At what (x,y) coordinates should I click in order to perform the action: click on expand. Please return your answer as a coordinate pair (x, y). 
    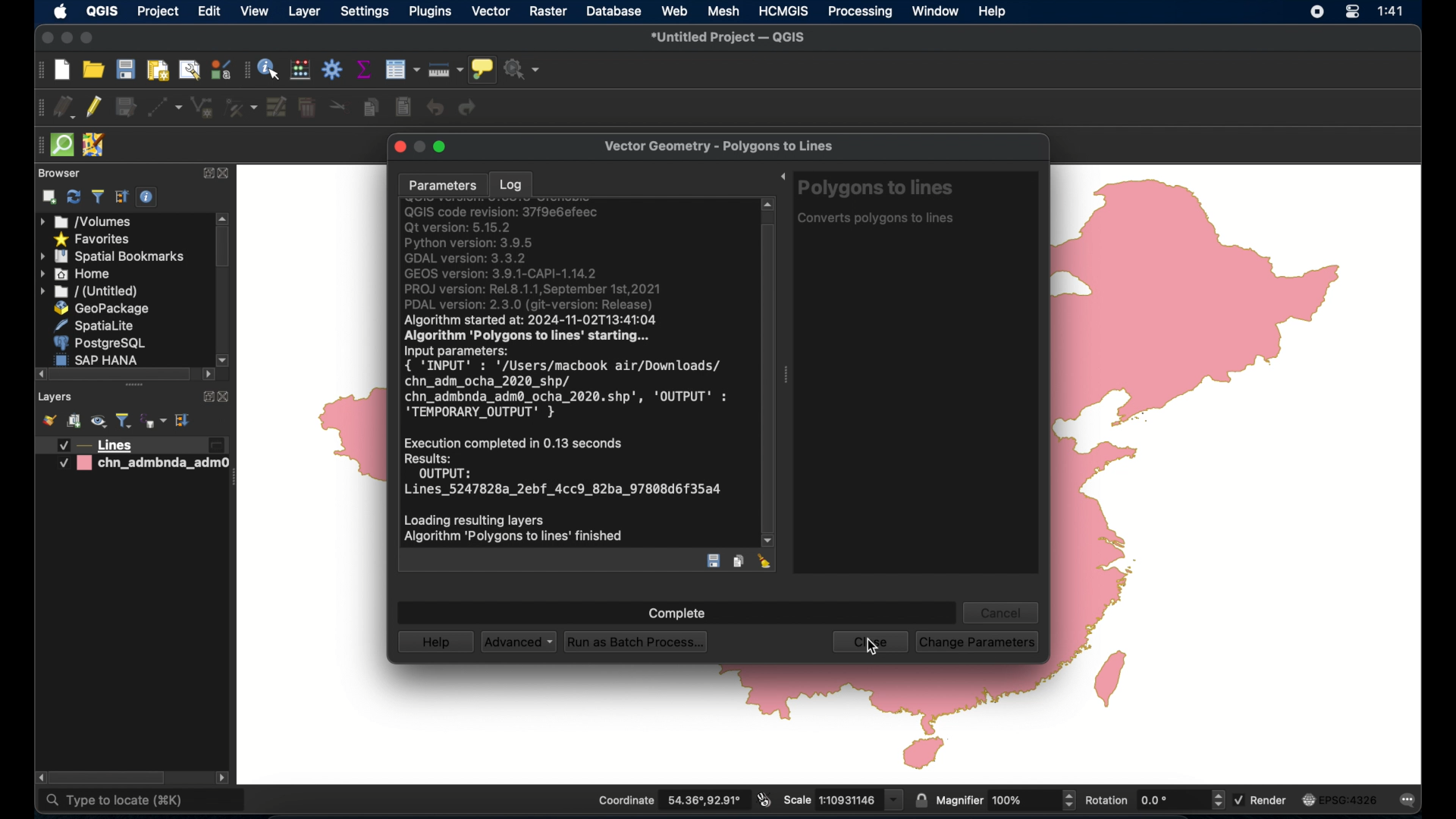
    Looking at the image, I should click on (782, 179).